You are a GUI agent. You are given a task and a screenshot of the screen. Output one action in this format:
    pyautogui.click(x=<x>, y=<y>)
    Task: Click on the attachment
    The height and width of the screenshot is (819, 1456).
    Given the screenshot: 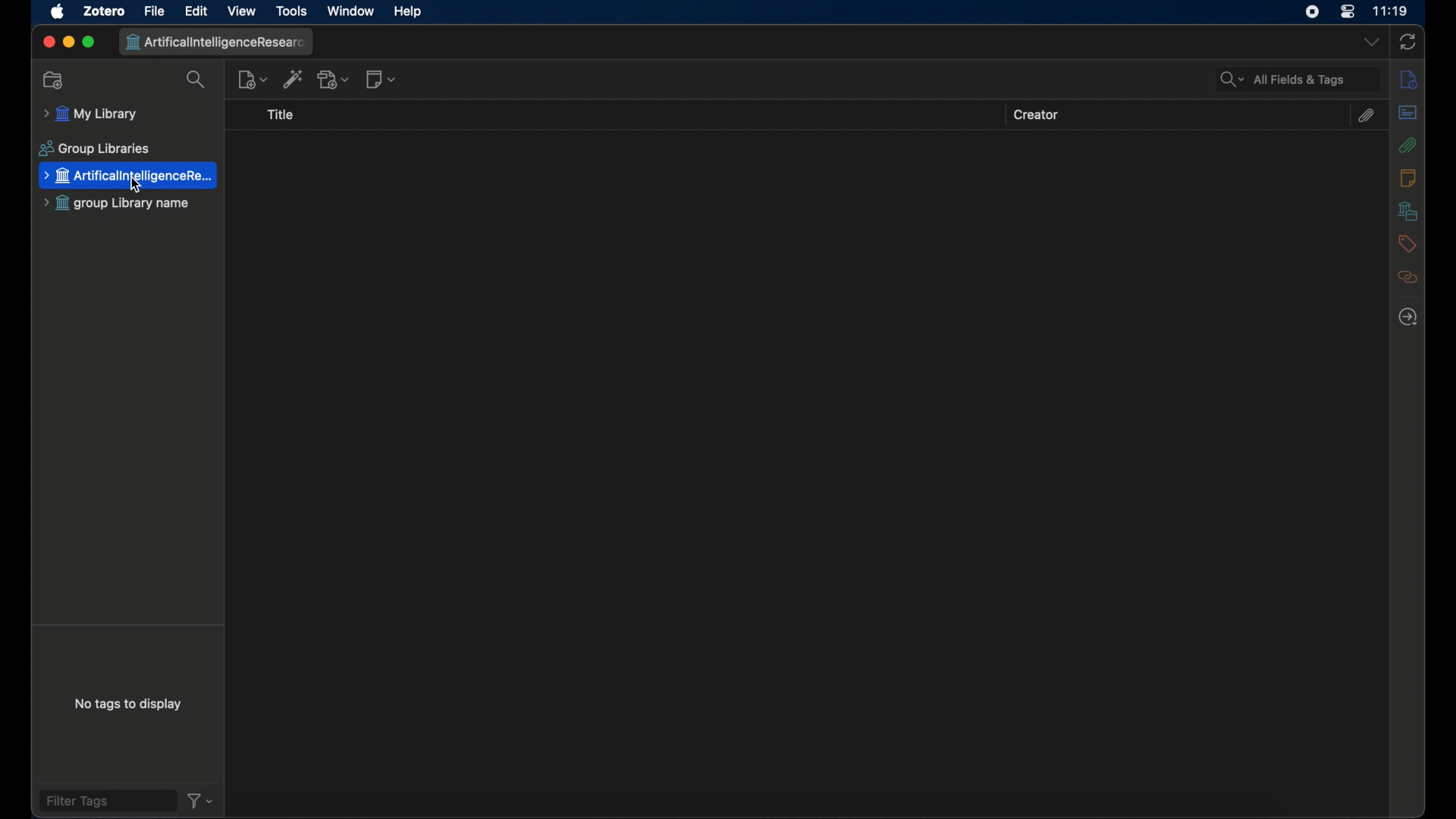 What is the action you would take?
    pyautogui.click(x=1368, y=115)
    